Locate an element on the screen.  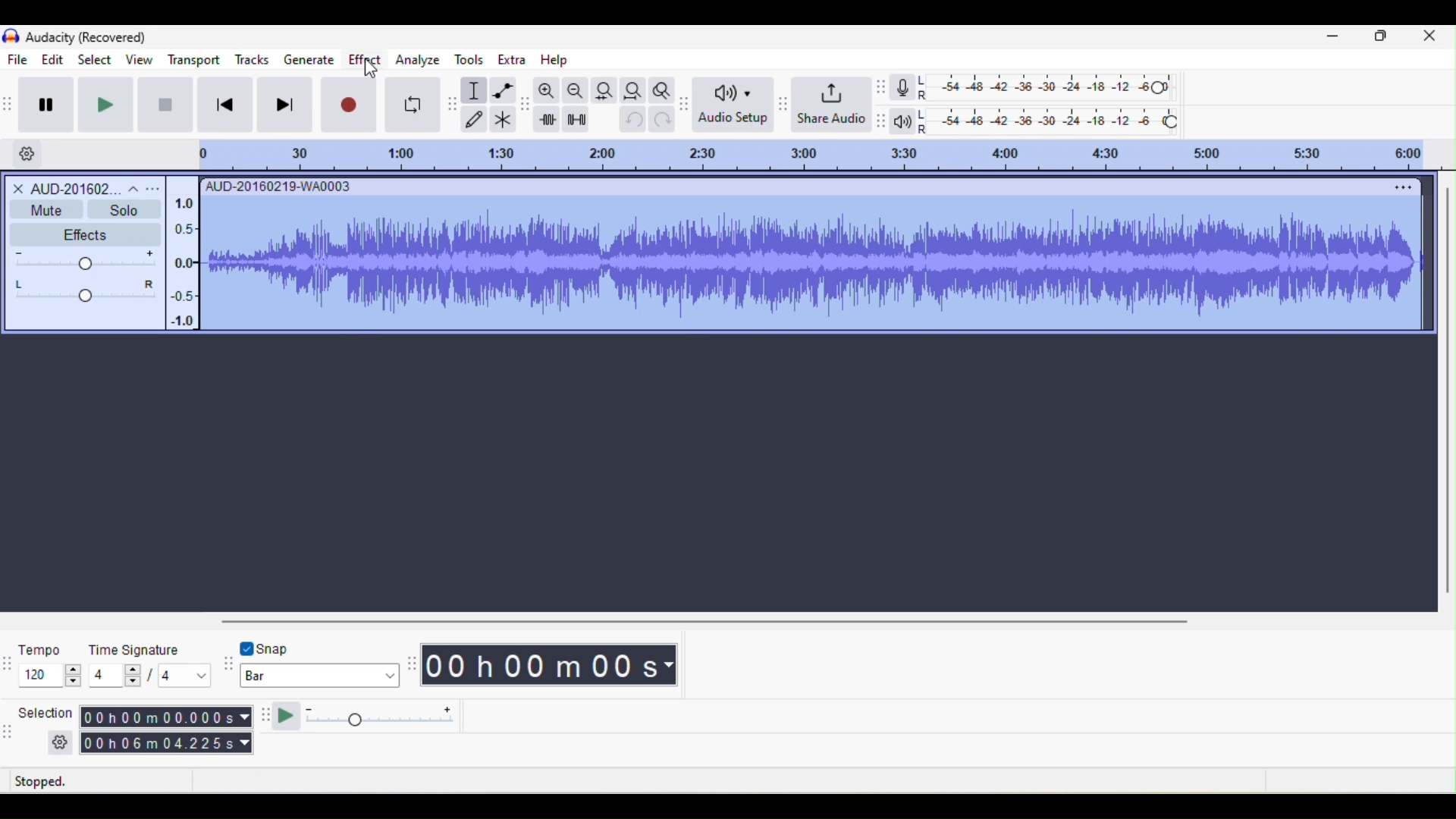
timeline options is located at coordinates (27, 155).